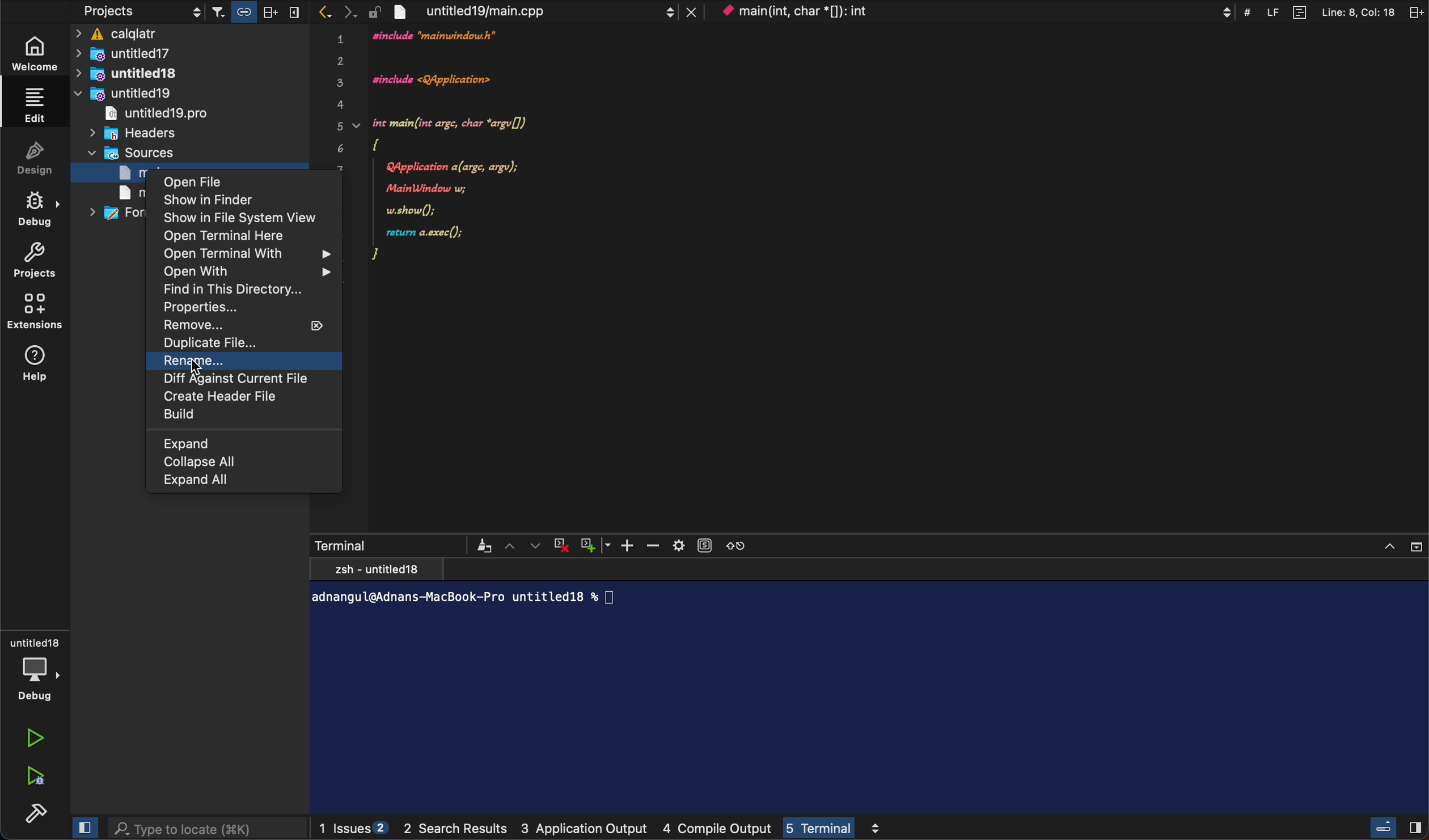 This screenshot has width=1429, height=840. What do you see at coordinates (477, 159) in the screenshot?
I see `code` at bounding box center [477, 159].